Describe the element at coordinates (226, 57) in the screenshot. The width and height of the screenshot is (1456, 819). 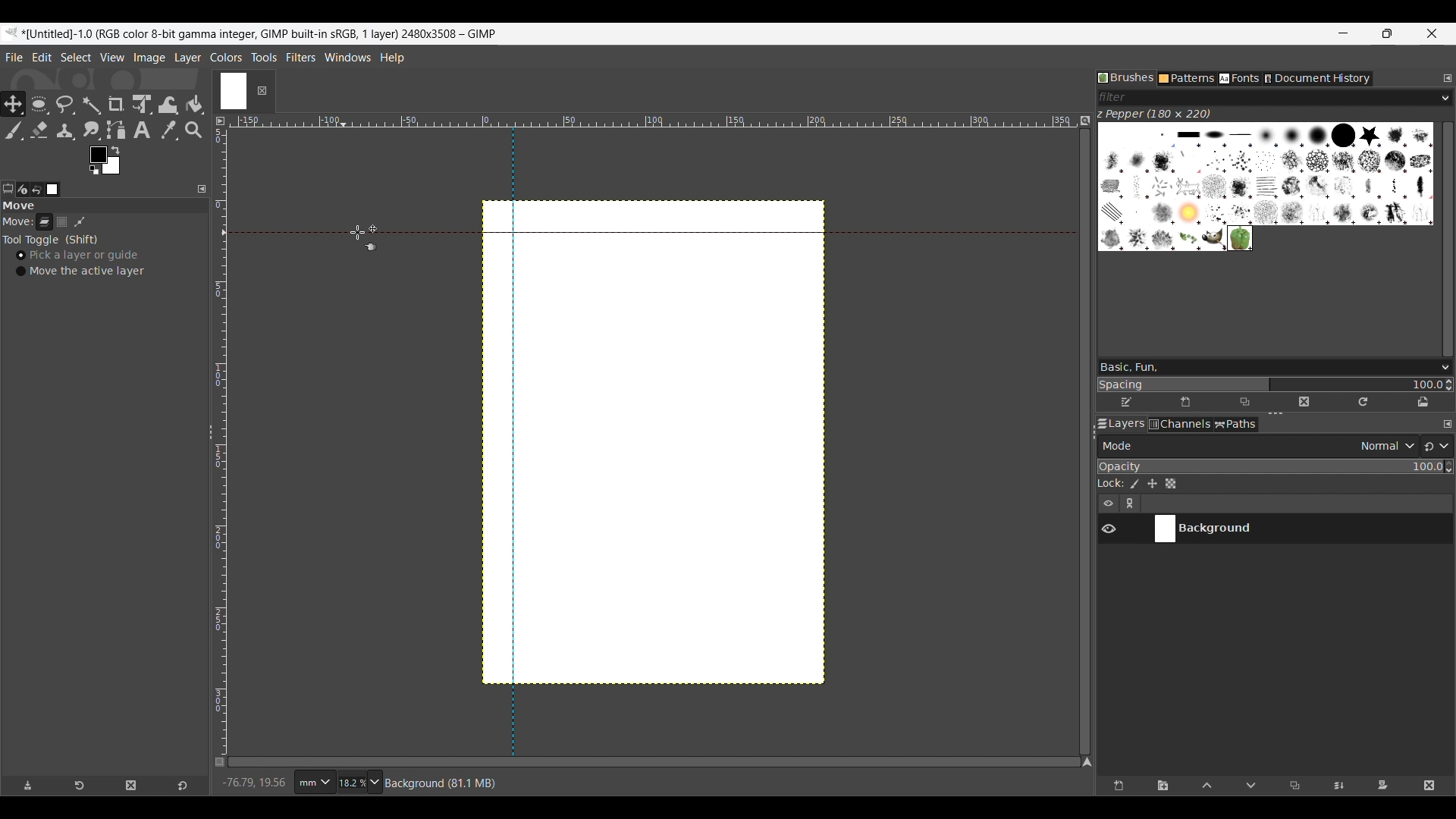
I see `Colors menu` at that location.